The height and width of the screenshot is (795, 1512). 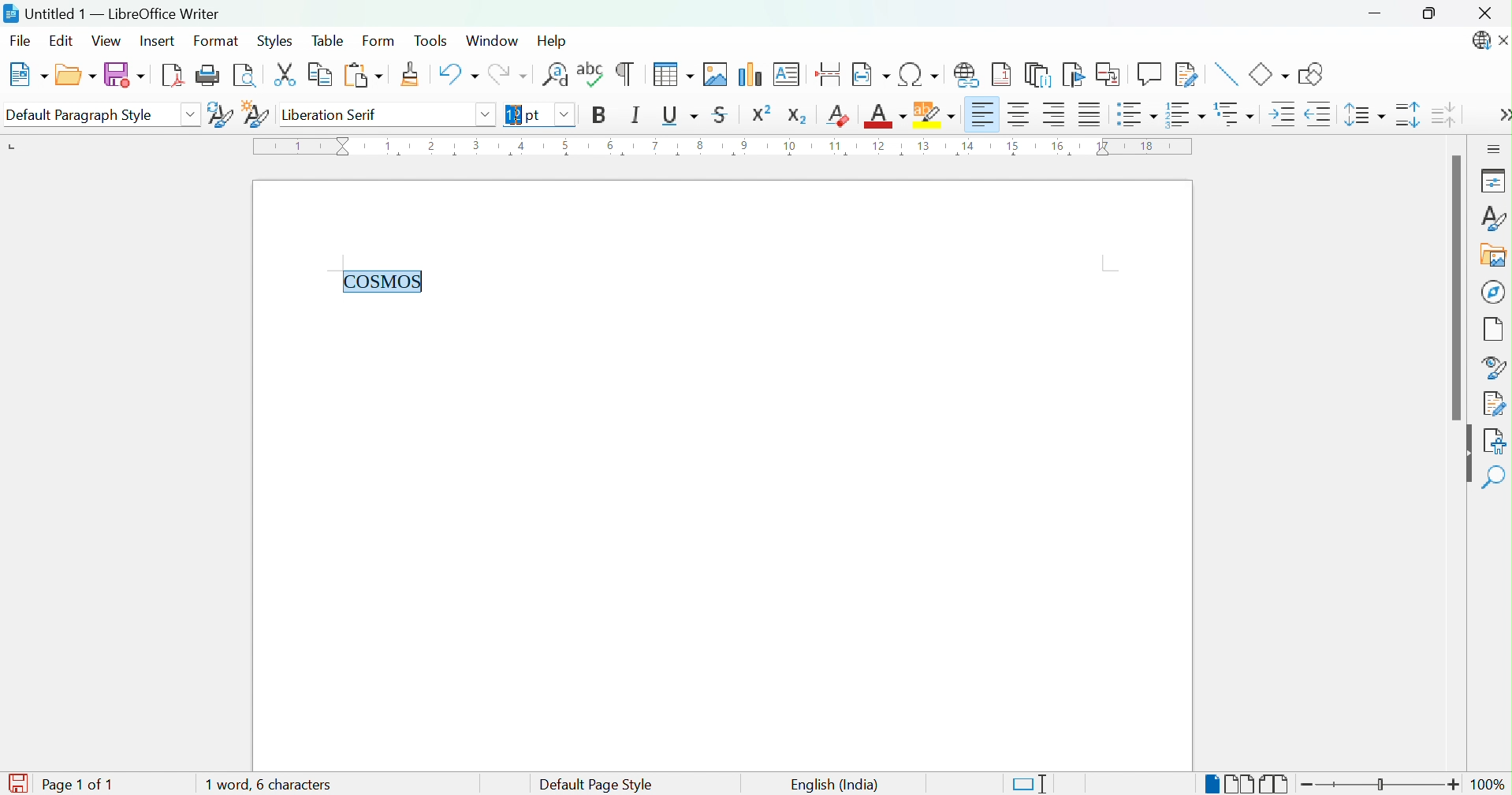 What do you see at coordinates (833, 784) in the screenshot?
I see `English (India)` at bounding box center [833, 784].